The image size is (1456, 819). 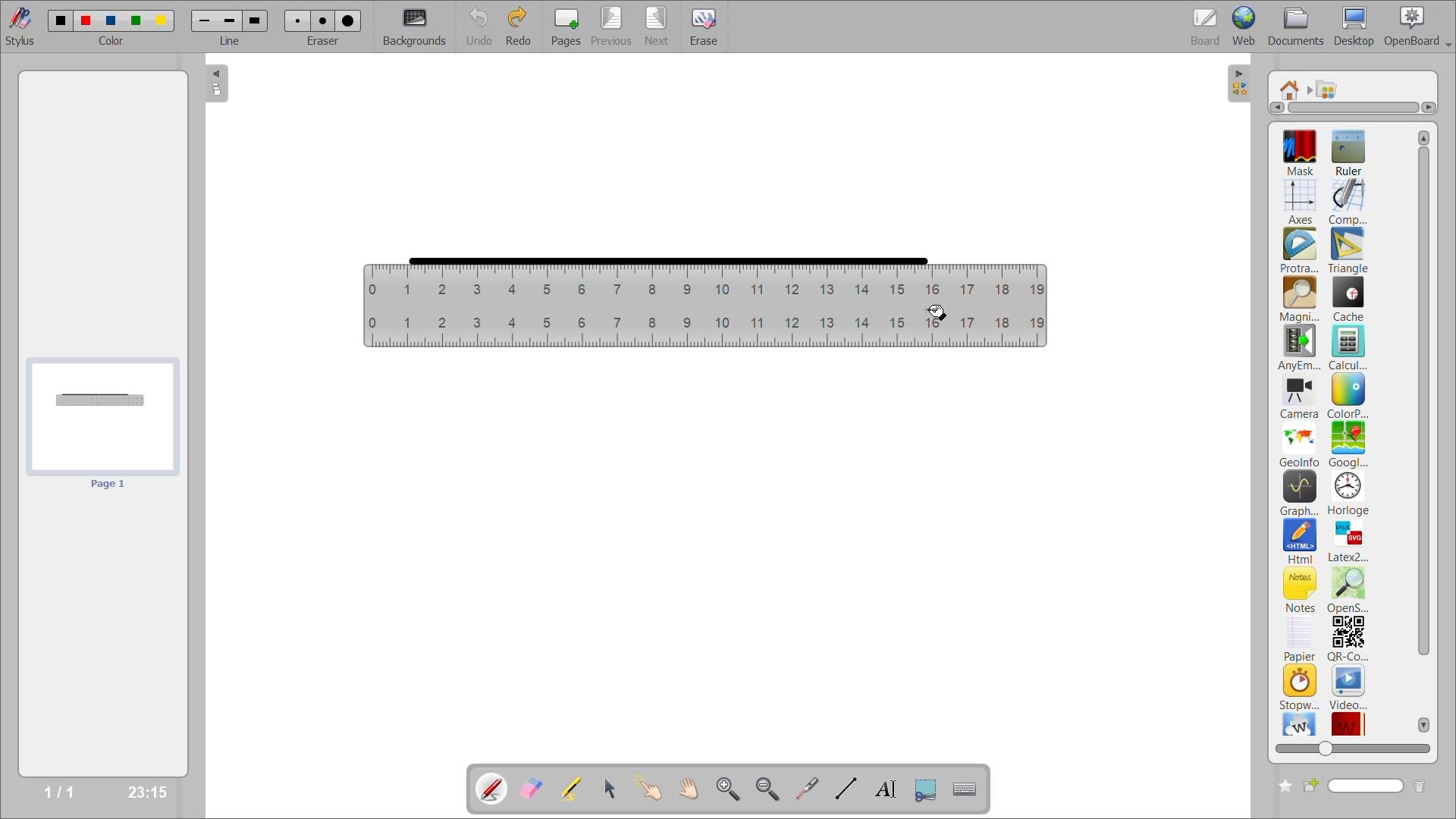 I want to click on page preview, so click(x=100, y=425).